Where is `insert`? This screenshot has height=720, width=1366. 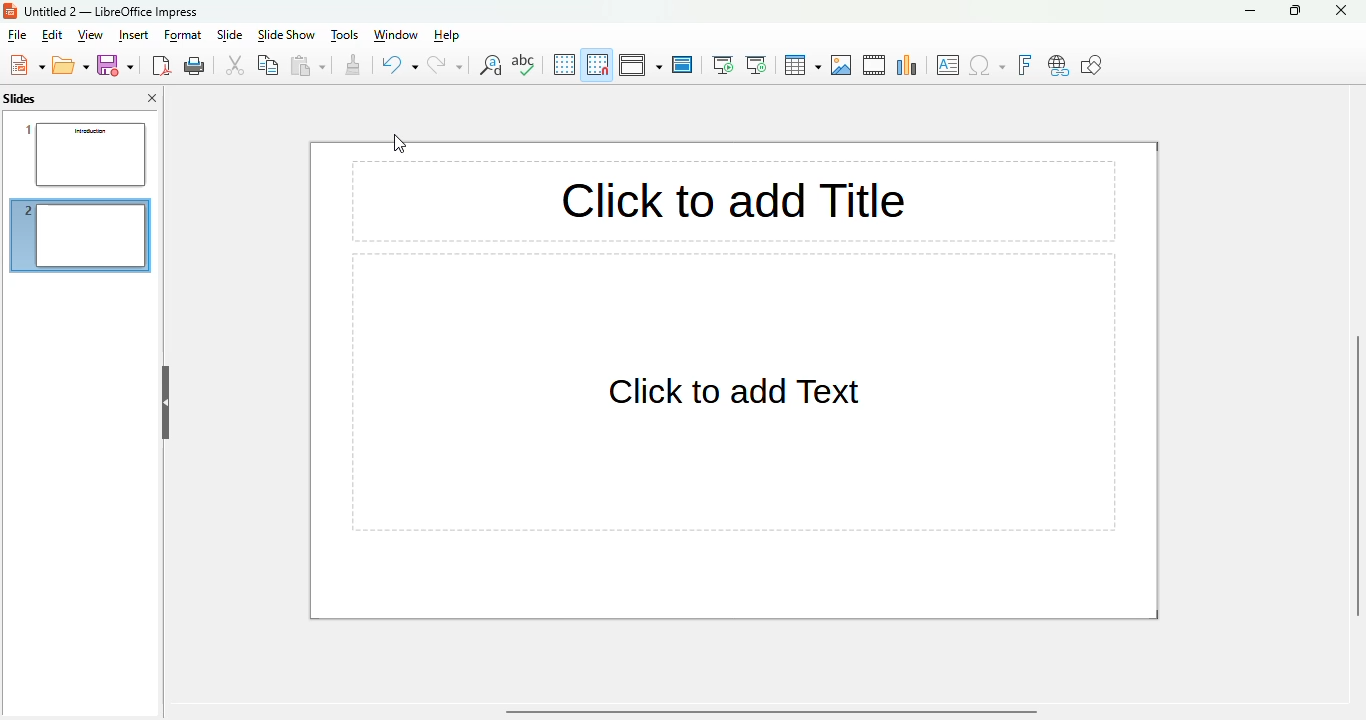 insert is located at coordinates (133, 36).